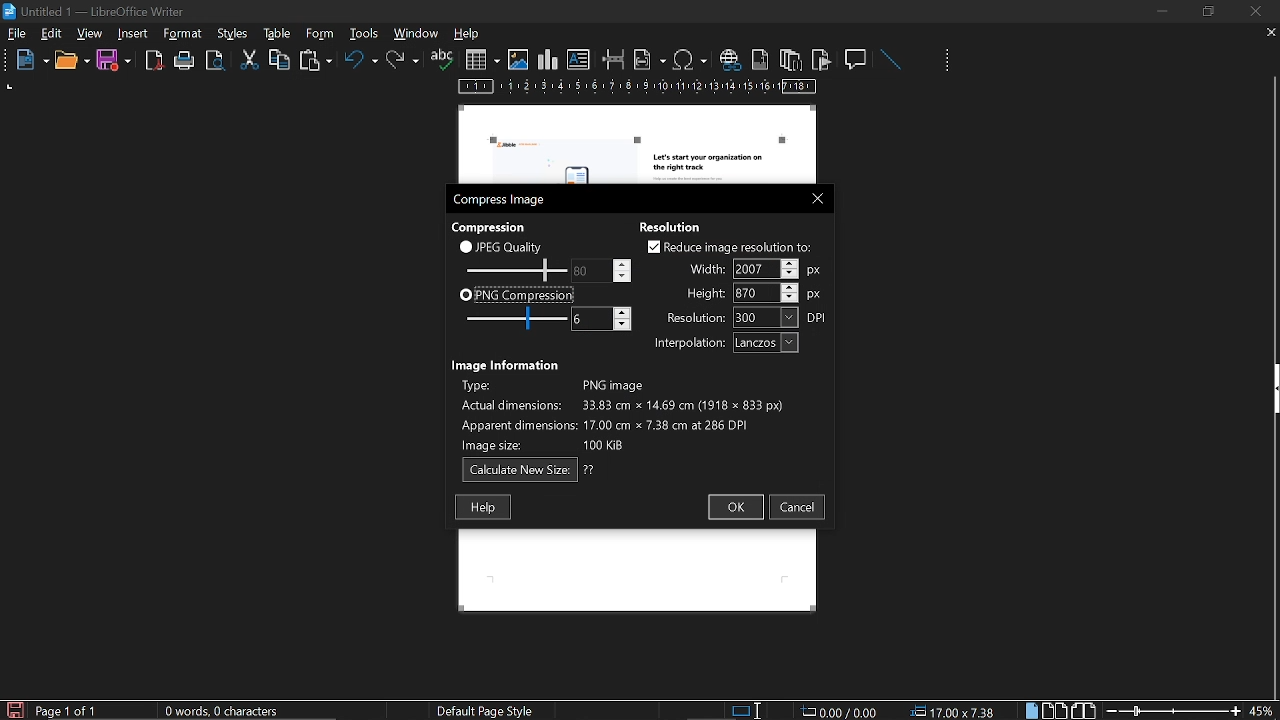 This screenshot has height=720, width=1280. Describe the element at coordinates (502, 200) in the screenshot. I see `compress image` at that location.